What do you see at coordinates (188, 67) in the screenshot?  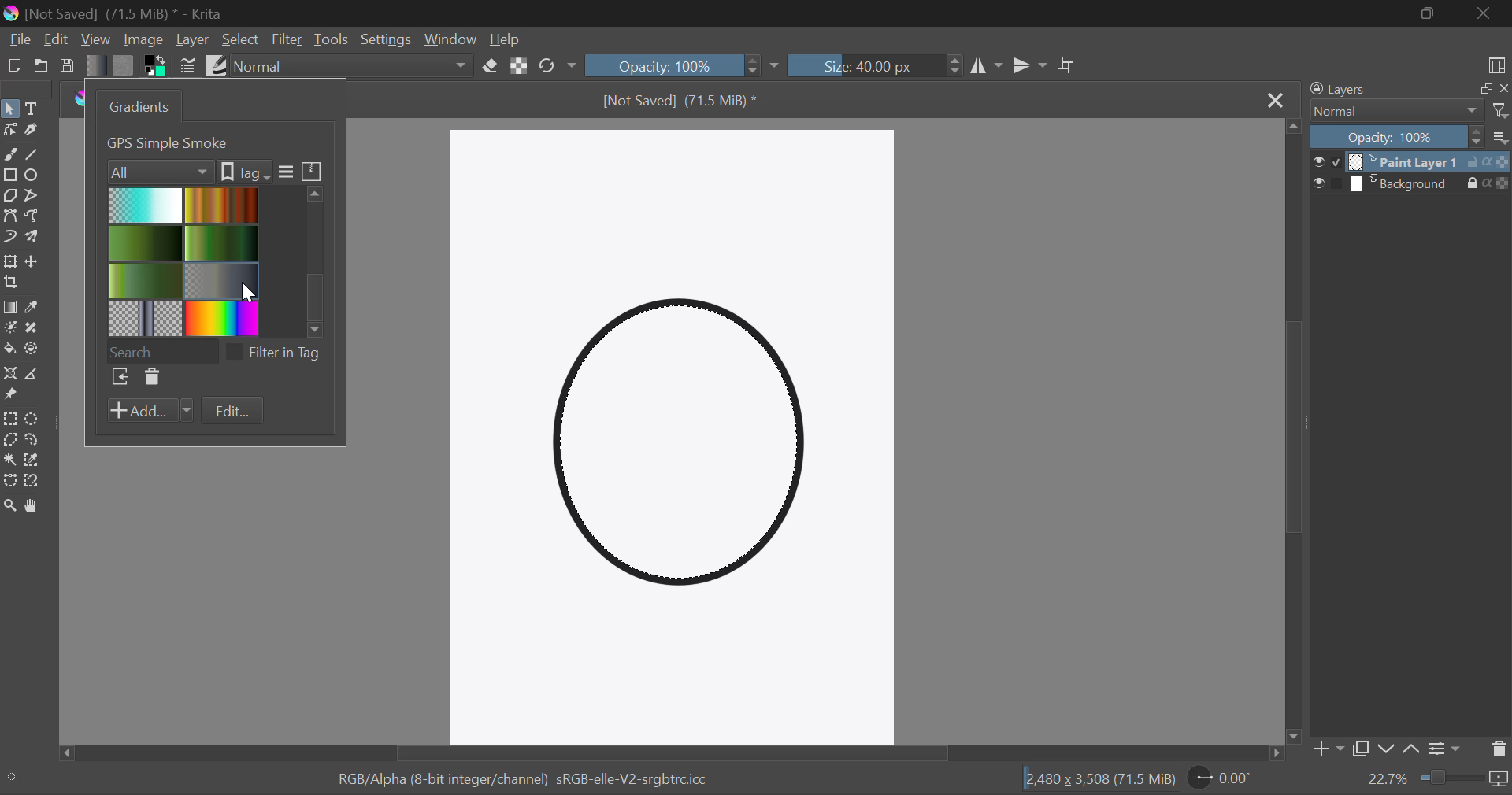 I see `Brush Settings` at bounding box center [188, 67].